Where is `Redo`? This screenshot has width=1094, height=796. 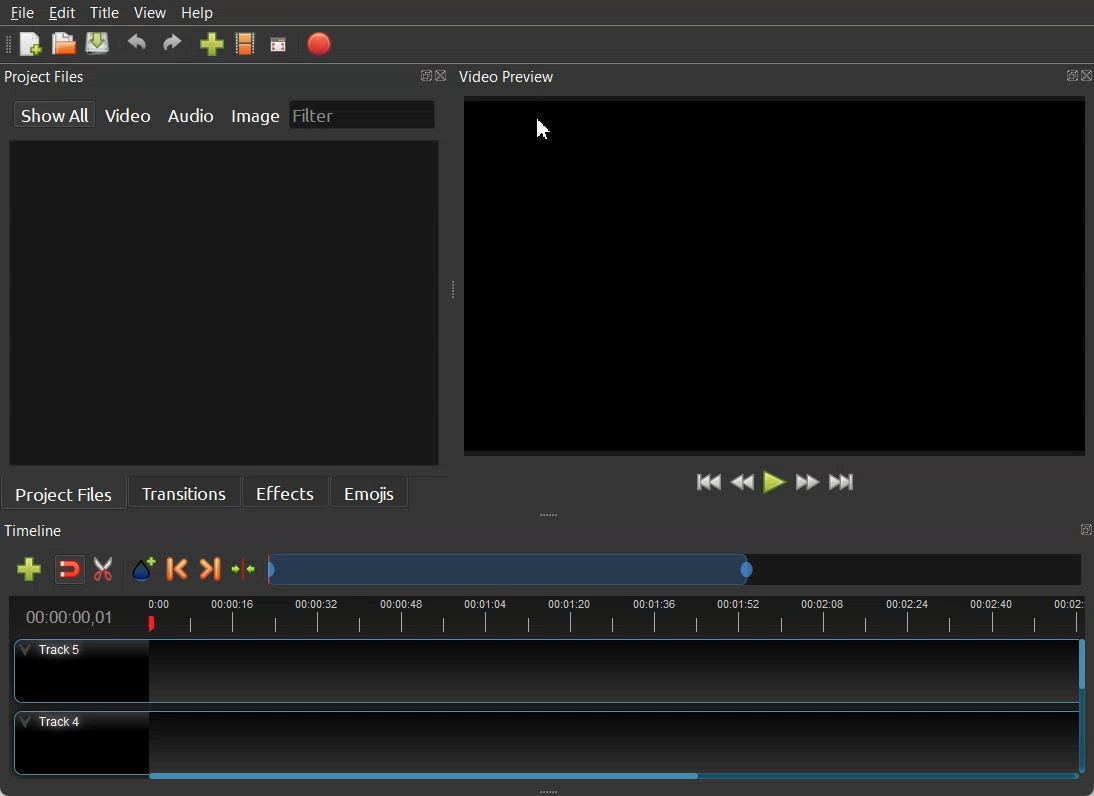 Redo is located at coordinates (171, 42).